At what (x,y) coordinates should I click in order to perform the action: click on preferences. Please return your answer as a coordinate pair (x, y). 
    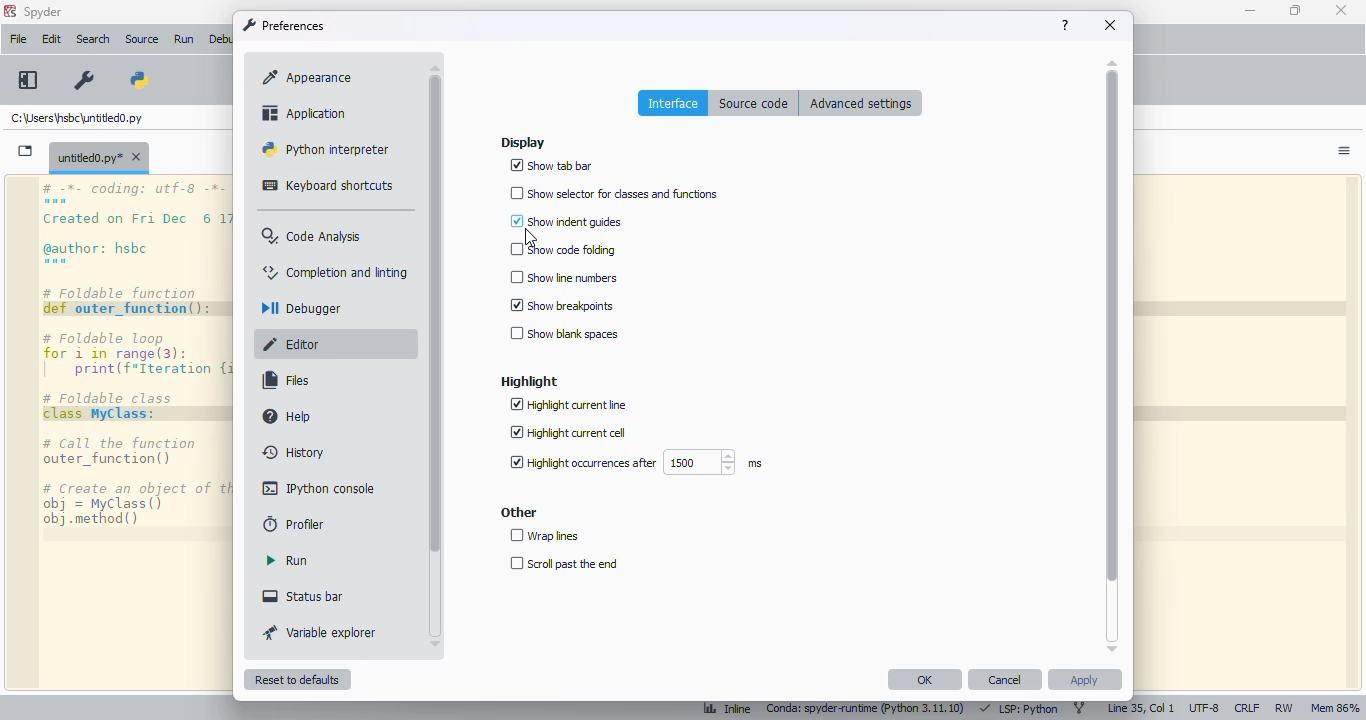
    Looking at the image, I should click on (82, 81).